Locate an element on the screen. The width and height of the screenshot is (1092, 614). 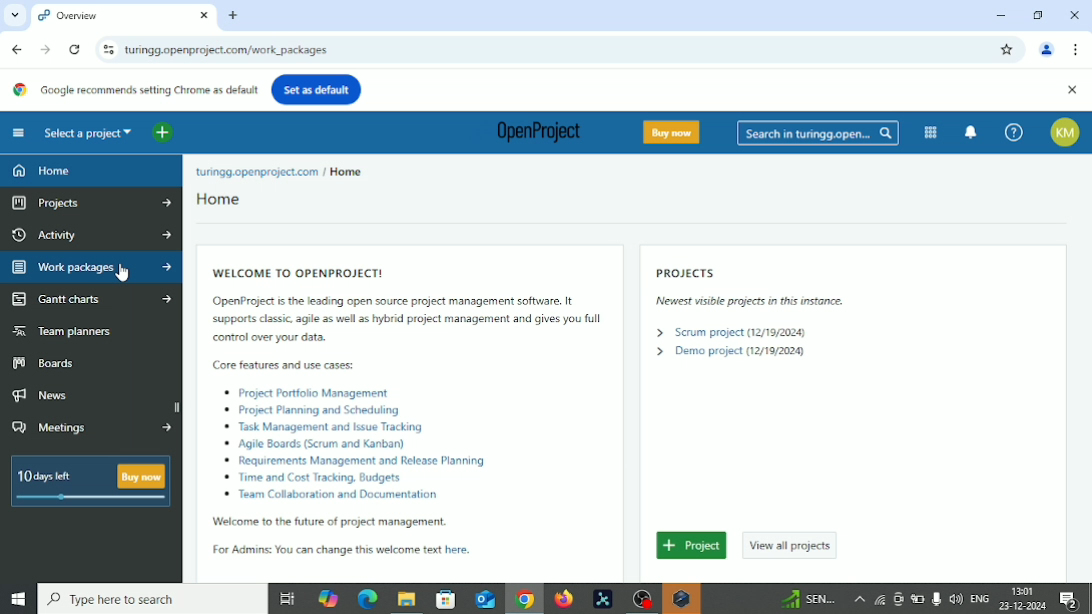
Microsoft store is located at coordinates (443, 598).